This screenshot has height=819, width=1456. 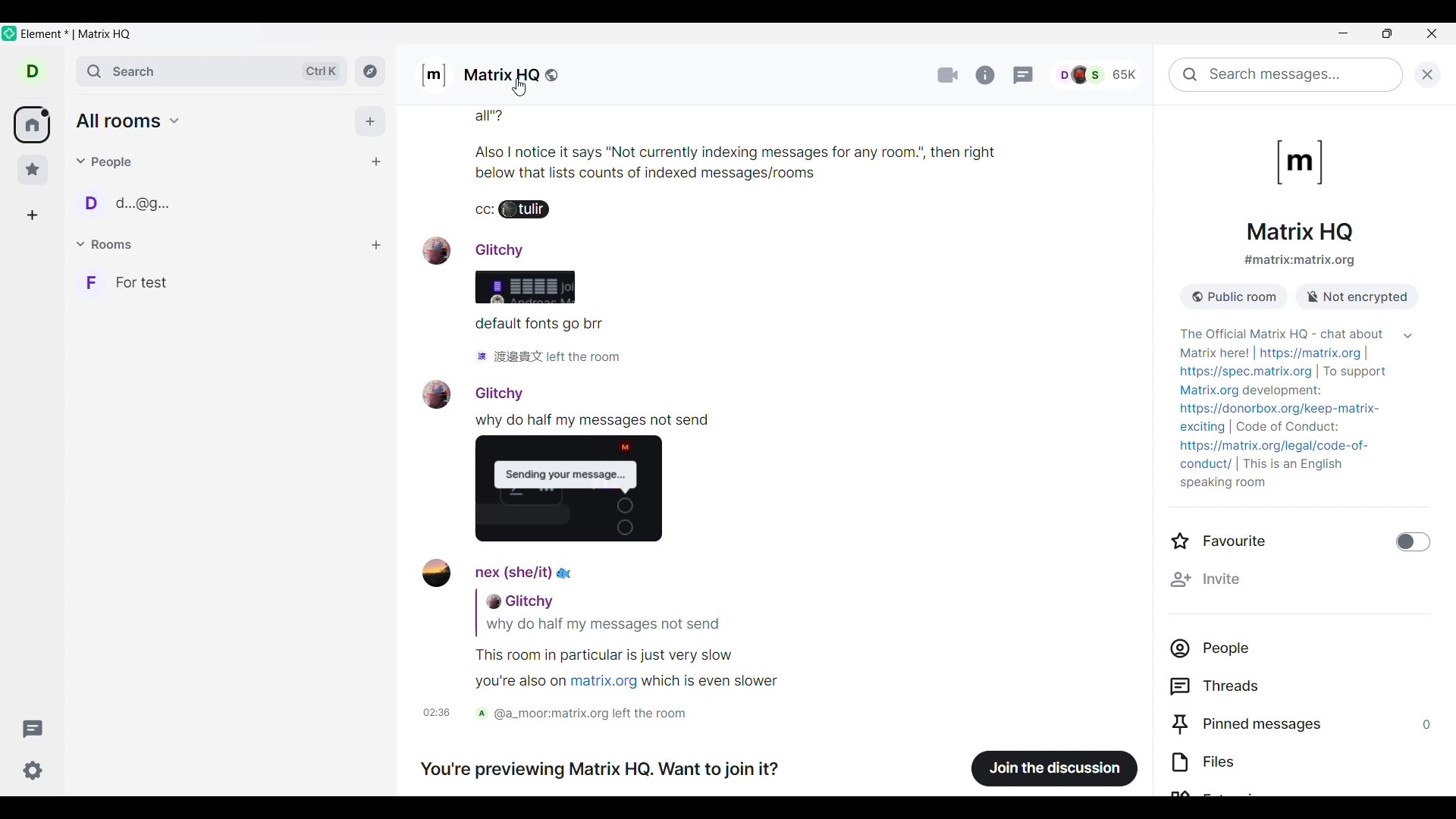 What do you see at coordinates (570, 715) in the screenshot?
I see `02:36 @a_moor.matrix.org left the room` at bounding box center [570, 715].